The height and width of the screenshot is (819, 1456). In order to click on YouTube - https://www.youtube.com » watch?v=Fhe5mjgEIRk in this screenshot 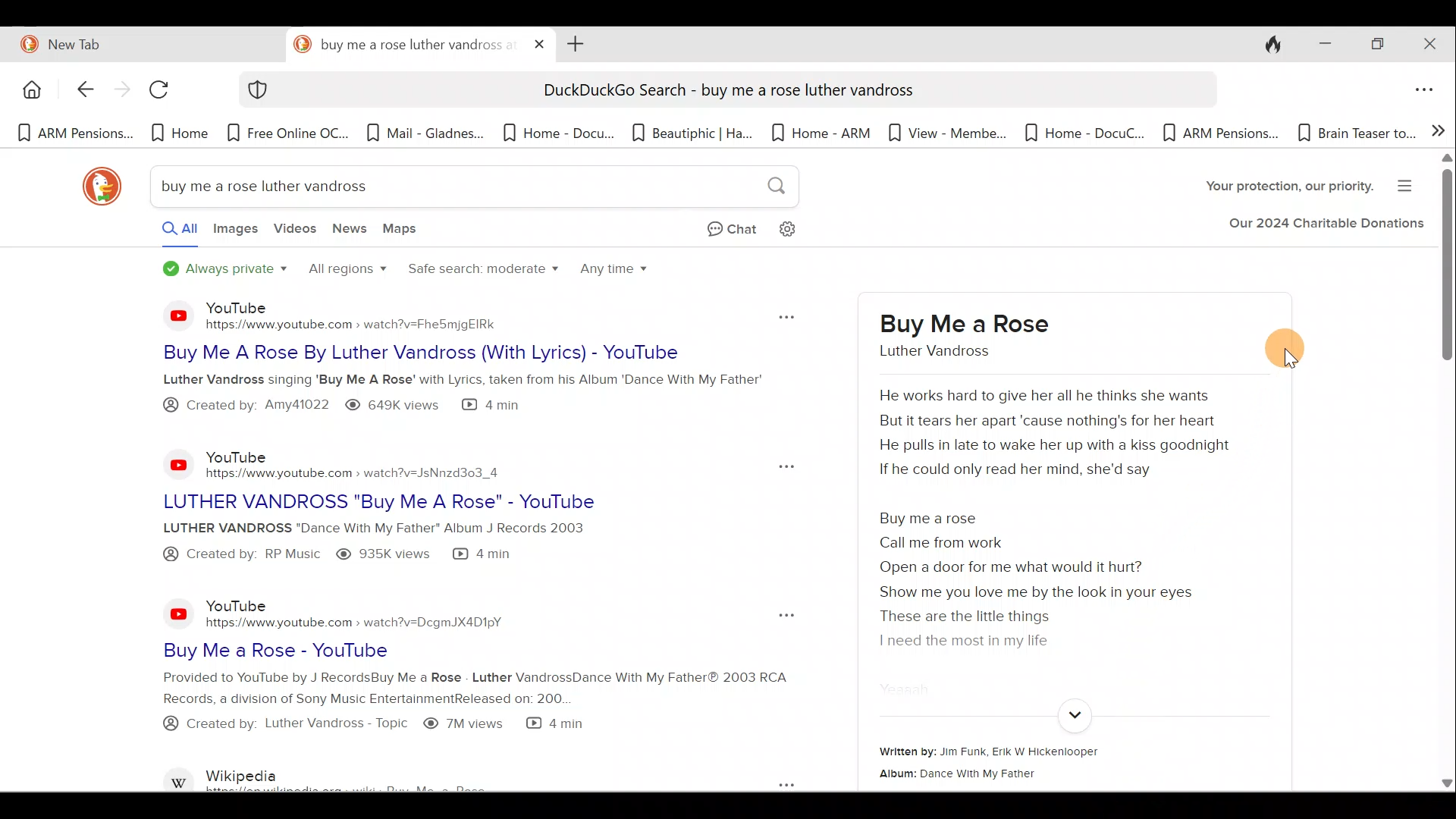, I will do `click(373, 315)`.